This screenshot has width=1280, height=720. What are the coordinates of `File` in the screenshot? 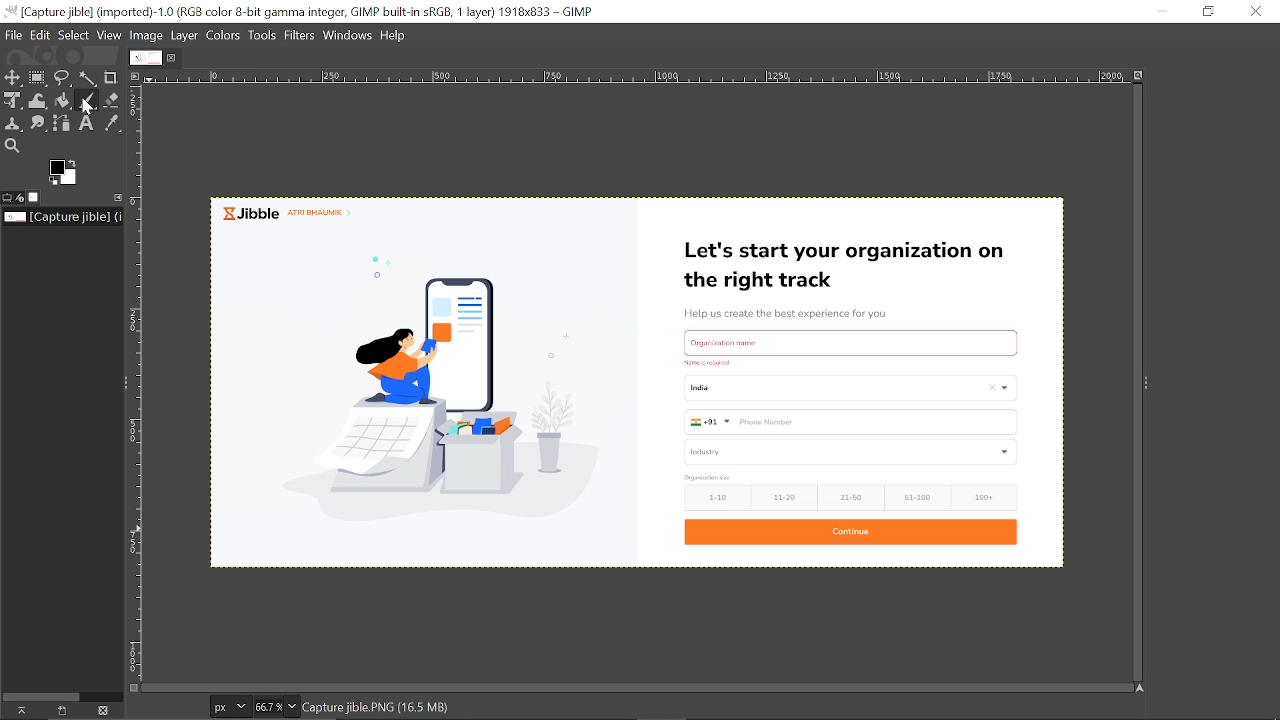 It's located at (16, 35).